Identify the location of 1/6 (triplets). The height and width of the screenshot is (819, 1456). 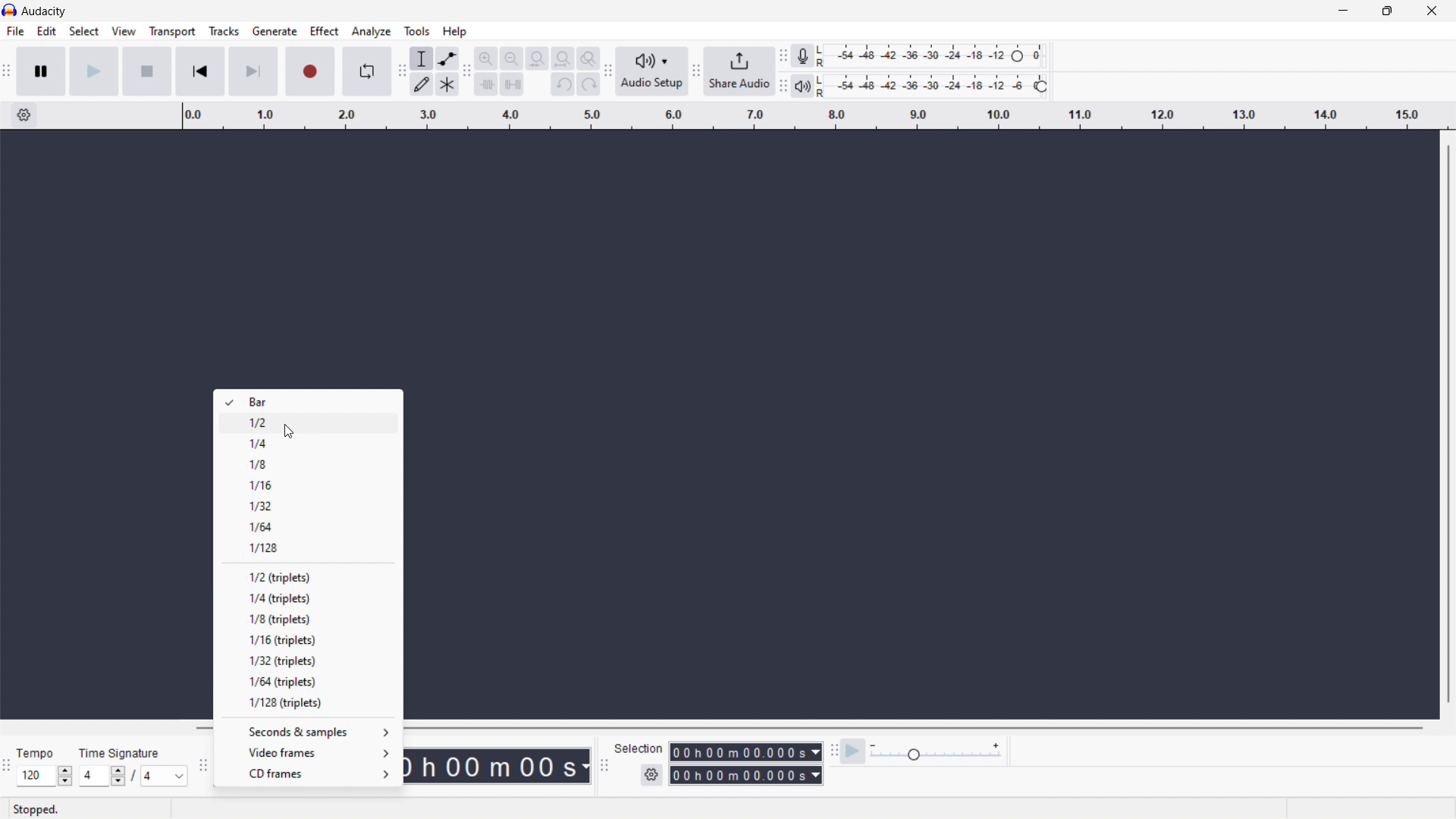
(307, 639).